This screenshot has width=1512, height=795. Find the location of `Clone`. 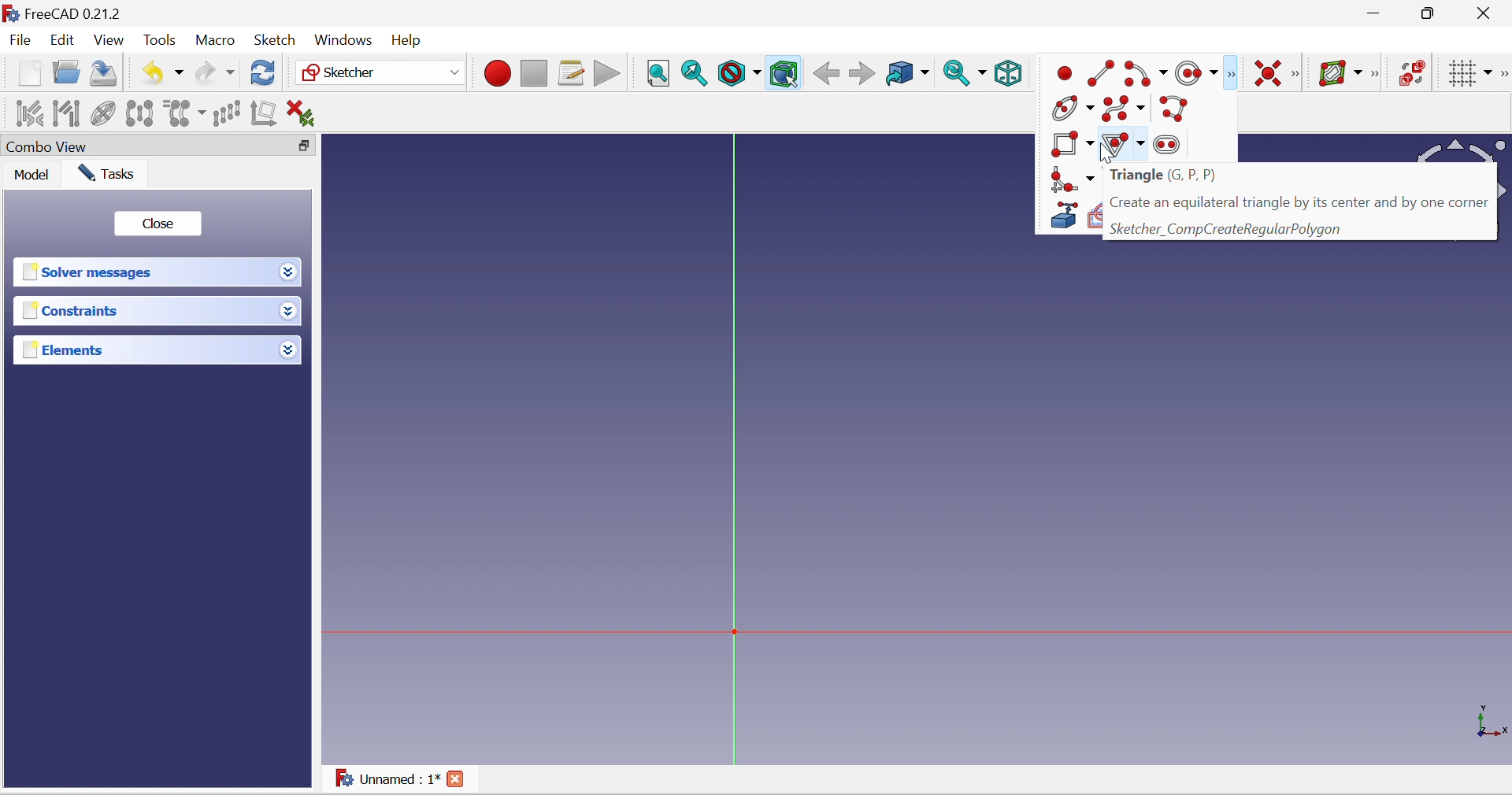

Clone is located at coordinates (184, 115).